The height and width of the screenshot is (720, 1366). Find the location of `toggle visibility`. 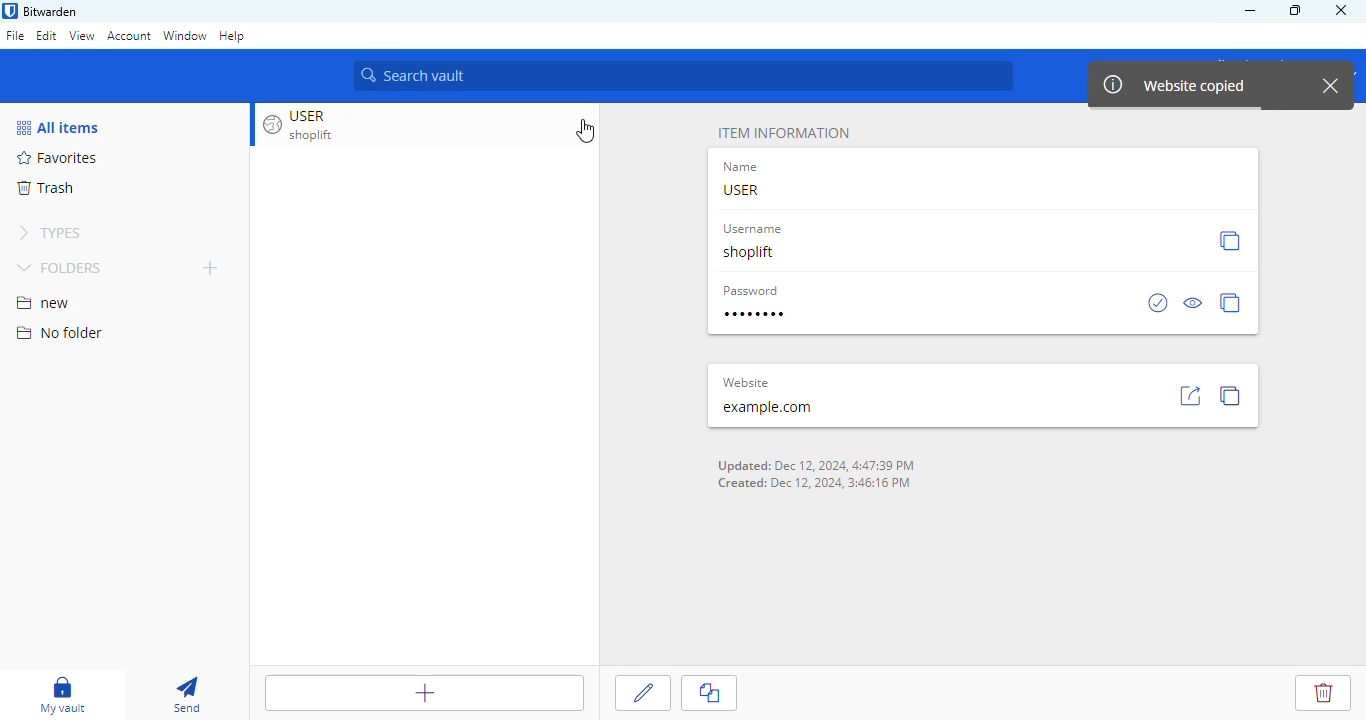

toggle visibility is located at coordinates (1194, 302).